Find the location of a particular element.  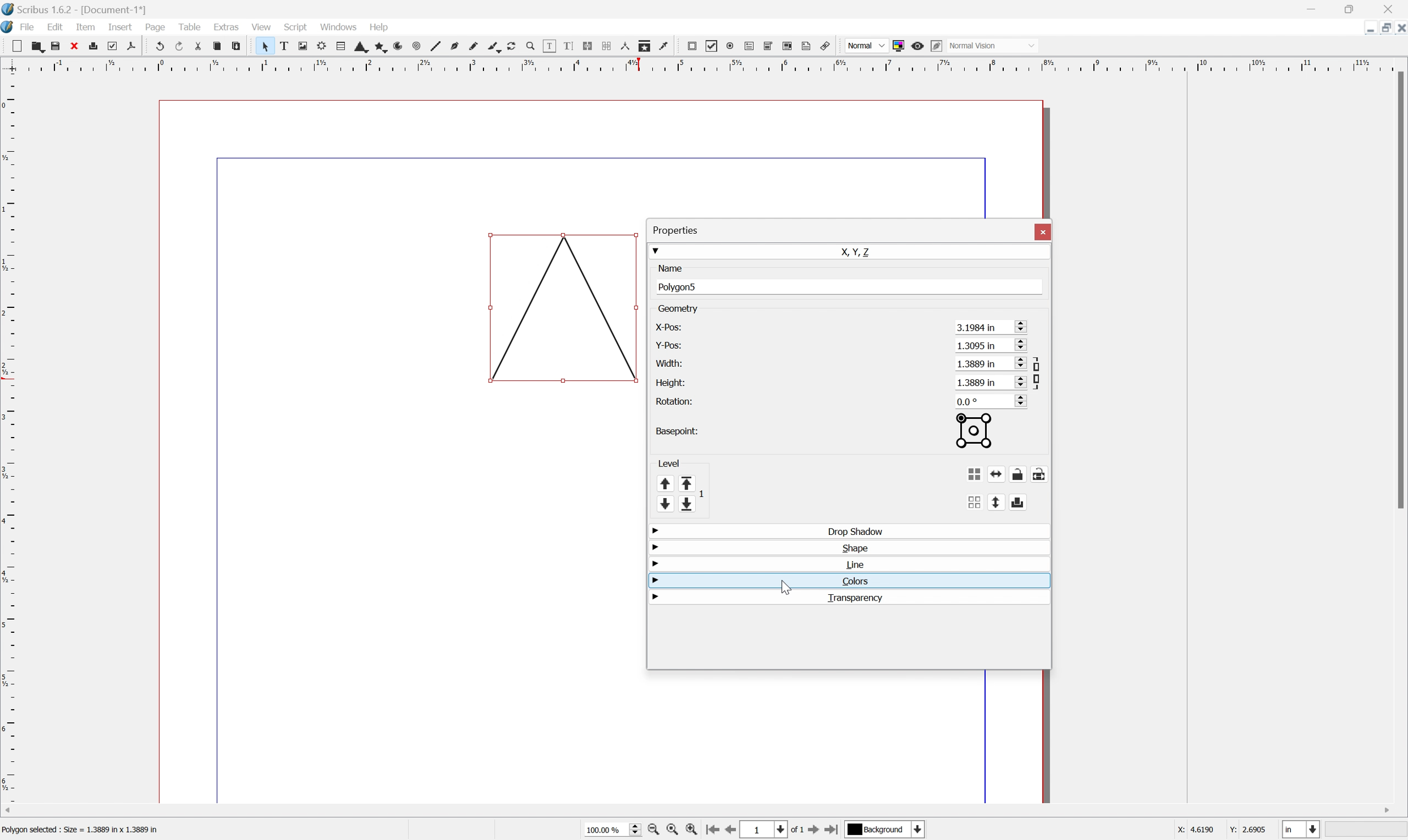

Flip horizontally is located at coordinates (997, 474).